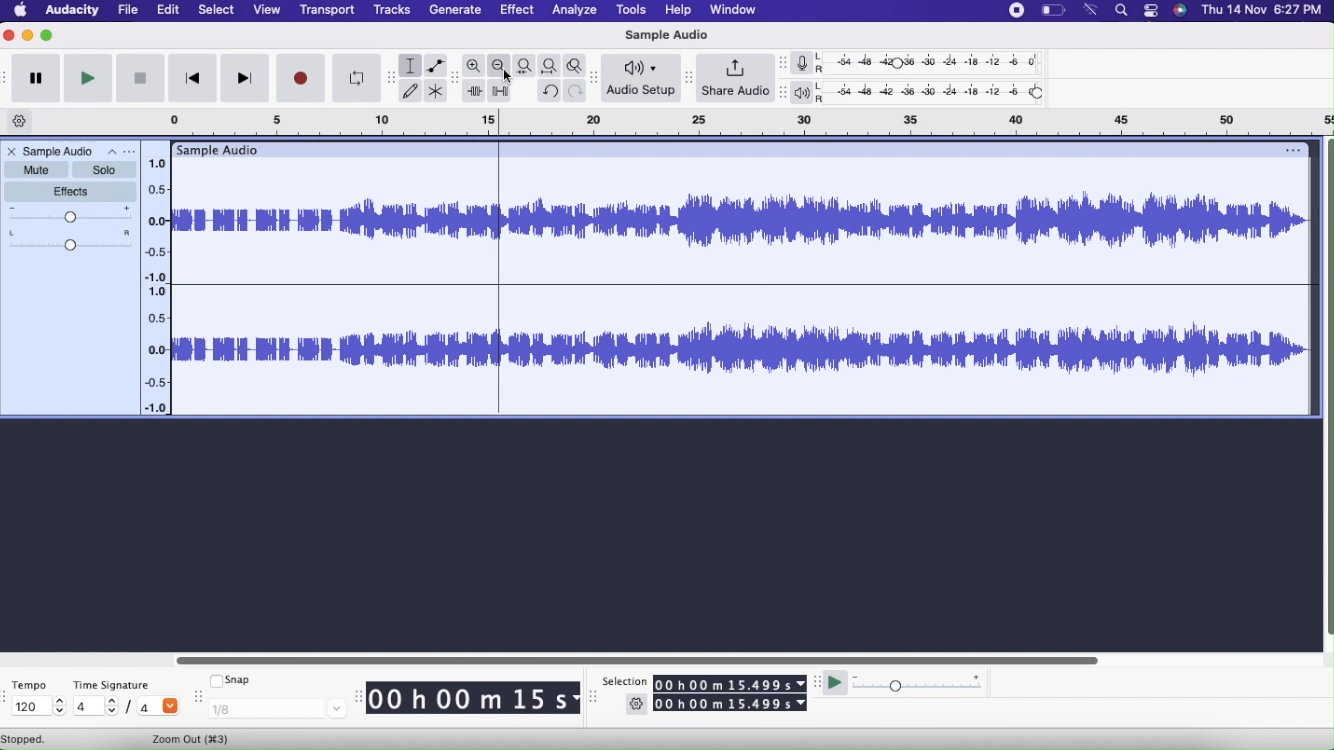  I want to click on Slider, so click(629, 657).